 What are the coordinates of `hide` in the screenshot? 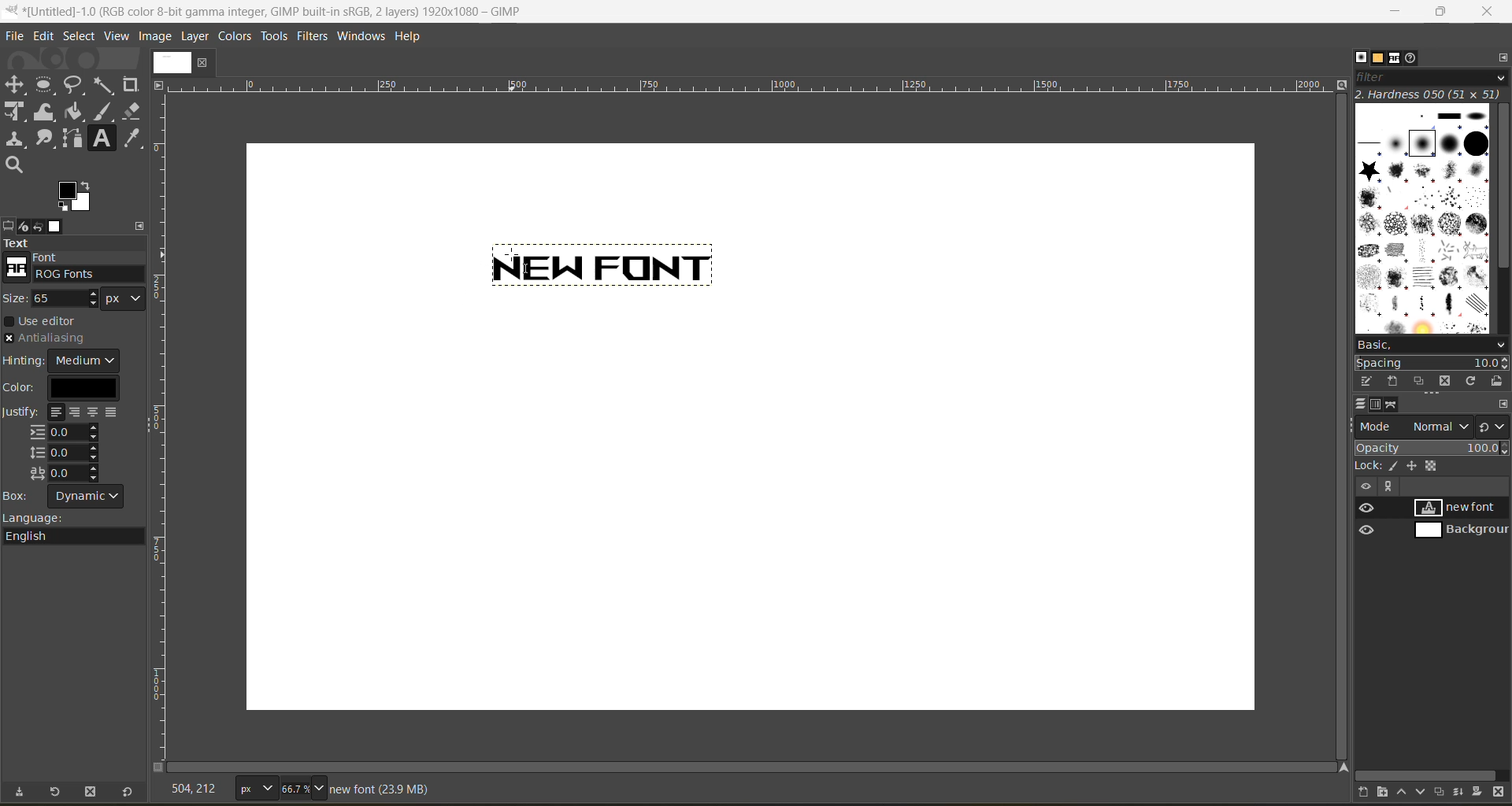 It's located at (1365, 486).